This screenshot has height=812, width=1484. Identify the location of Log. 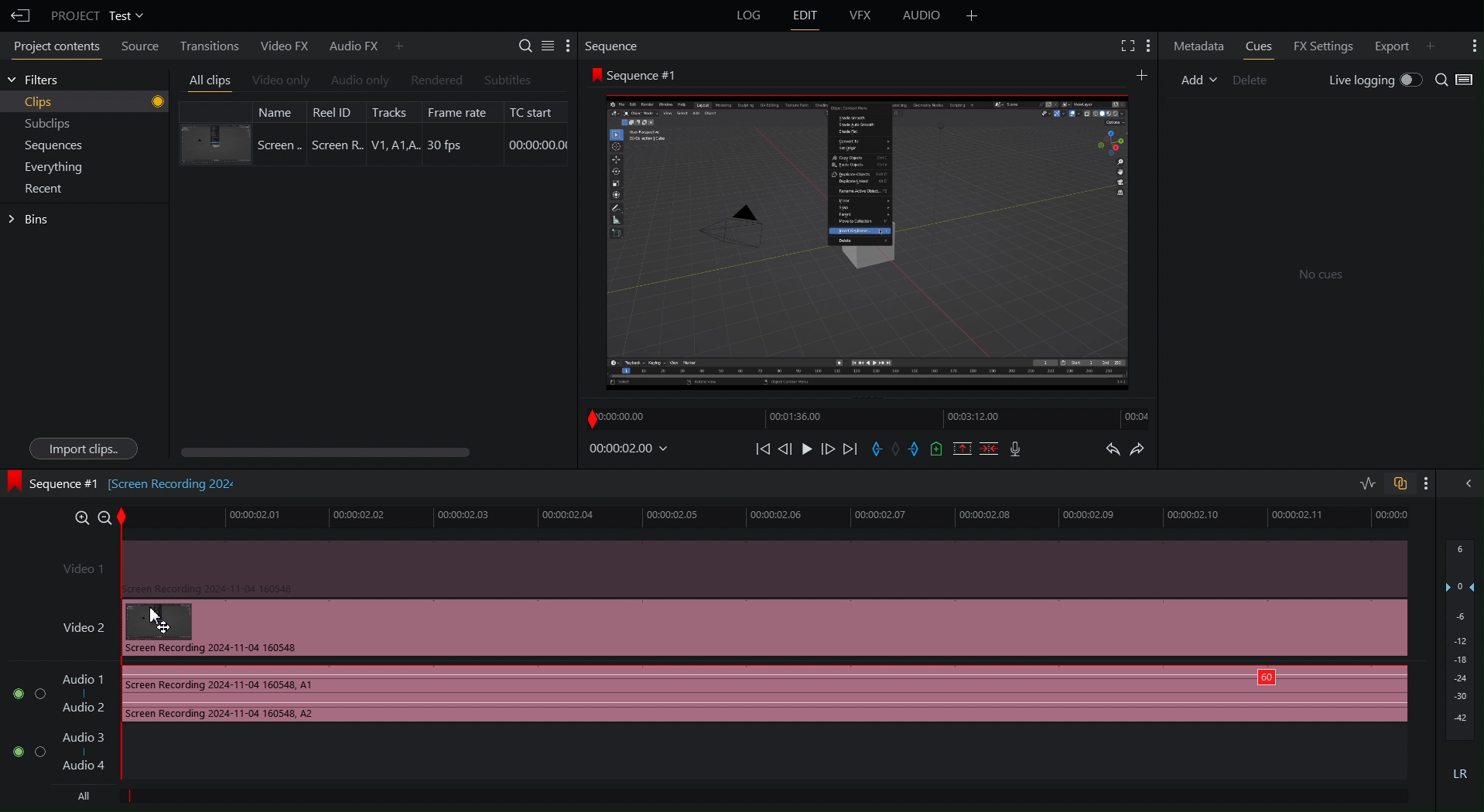
(746, 17).